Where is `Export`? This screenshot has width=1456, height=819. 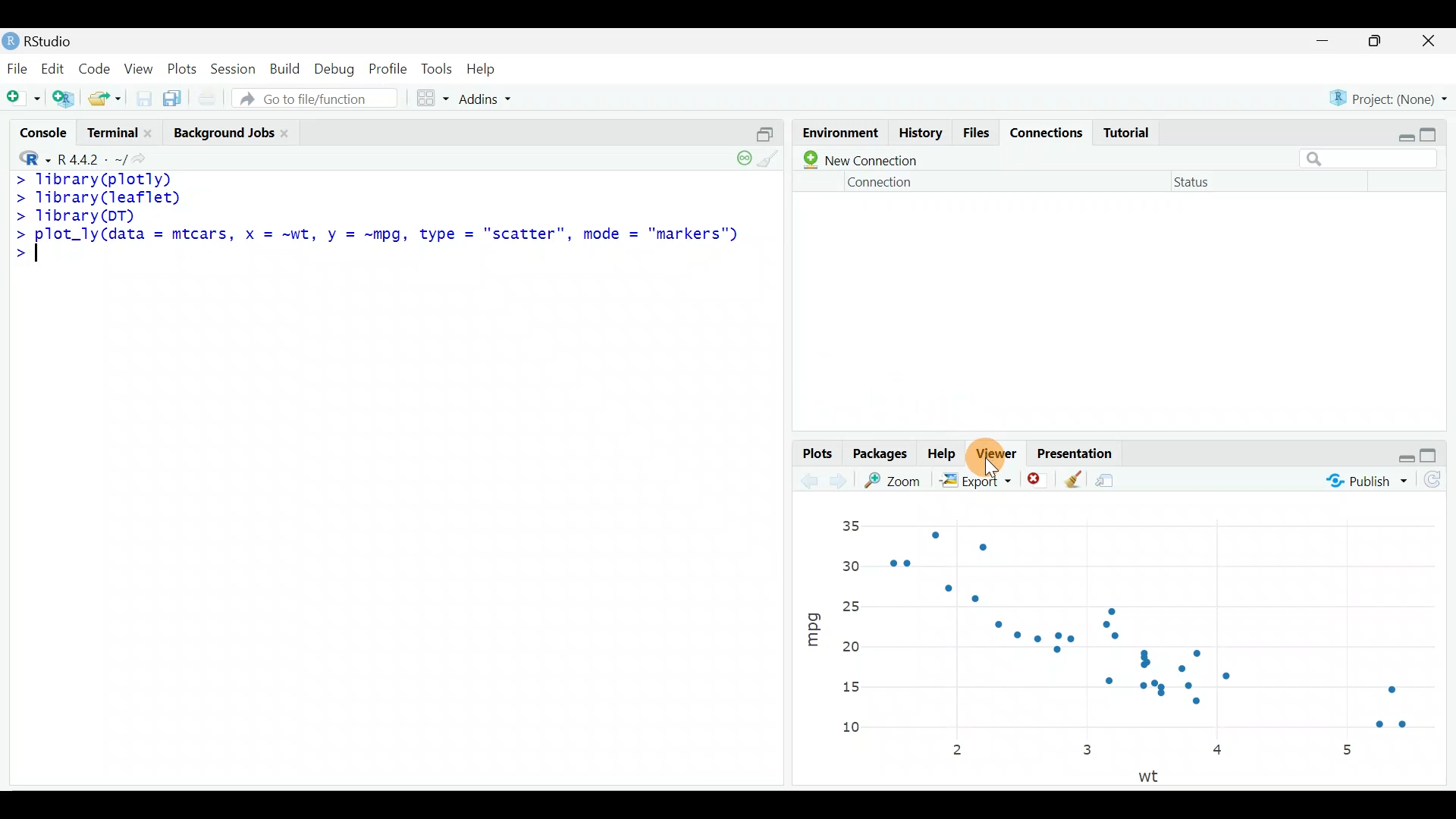
Export is located at coordinates (975, 480).